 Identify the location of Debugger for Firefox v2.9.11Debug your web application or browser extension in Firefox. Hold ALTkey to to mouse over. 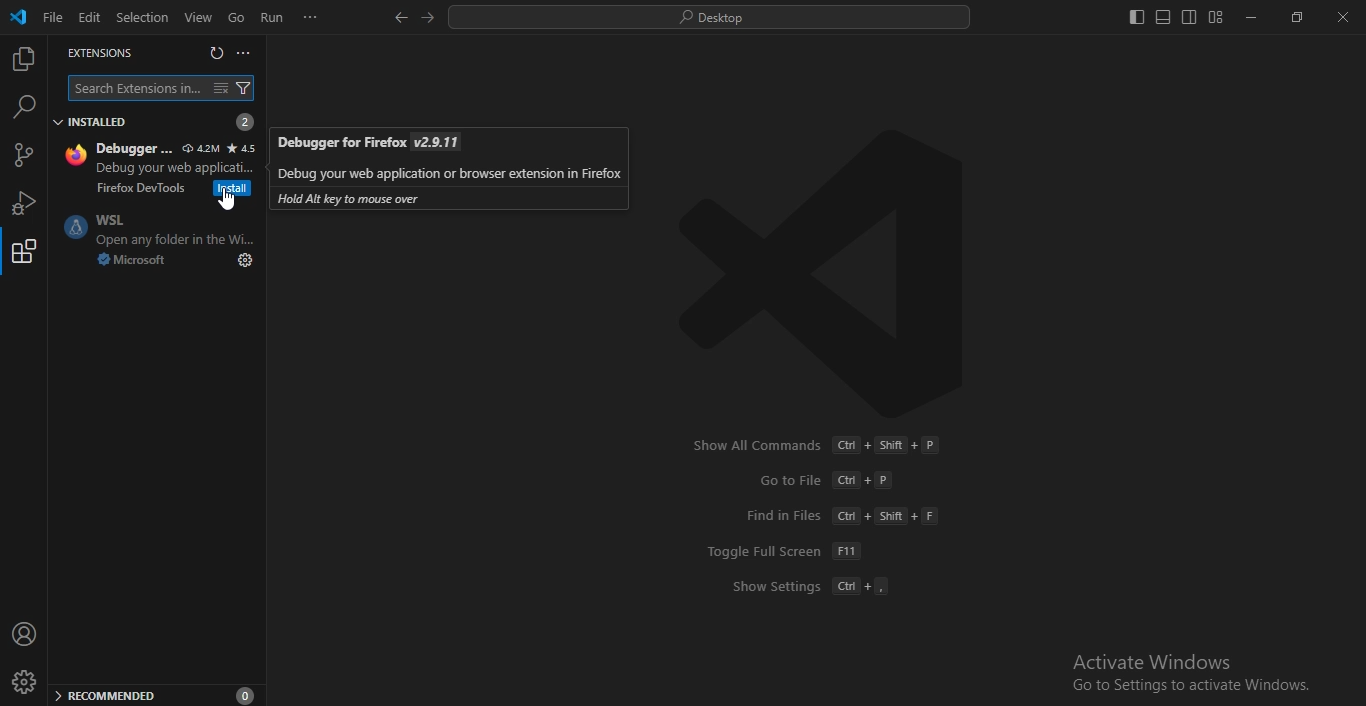
(449, 168).